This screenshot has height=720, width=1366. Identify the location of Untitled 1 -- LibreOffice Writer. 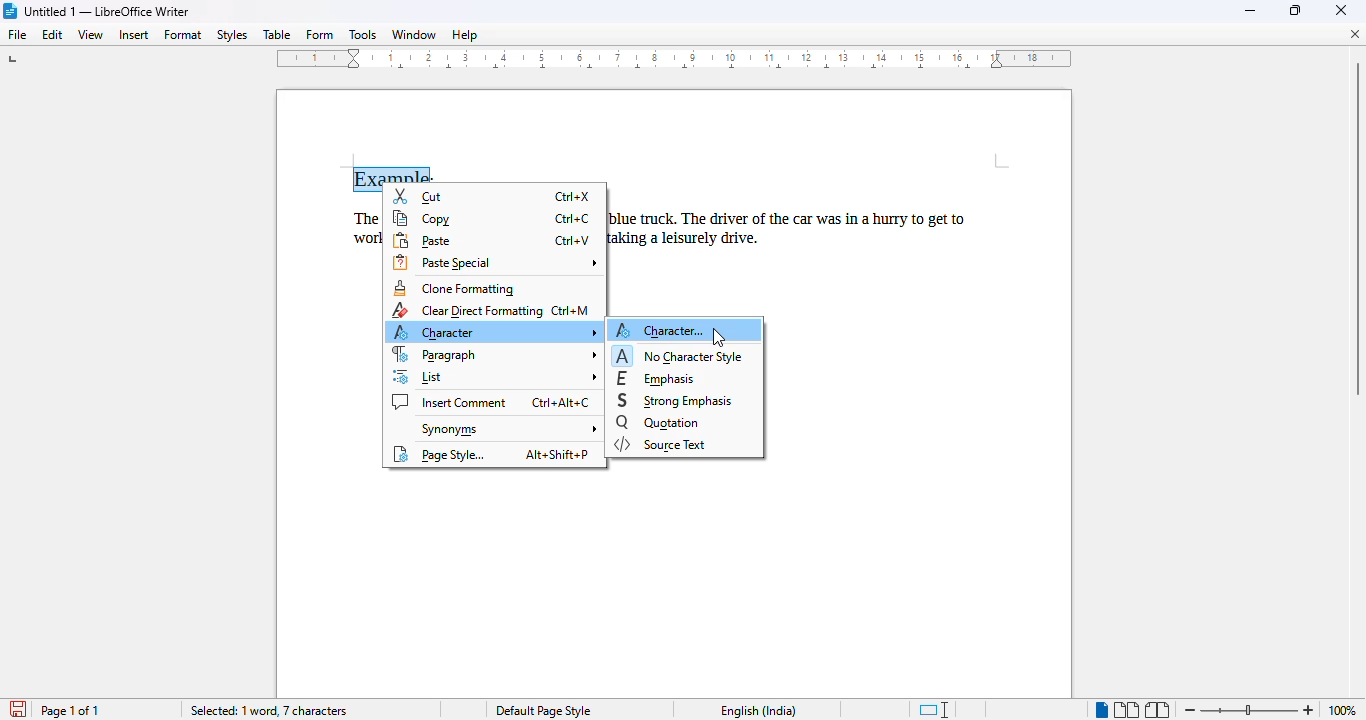
(109, 11).